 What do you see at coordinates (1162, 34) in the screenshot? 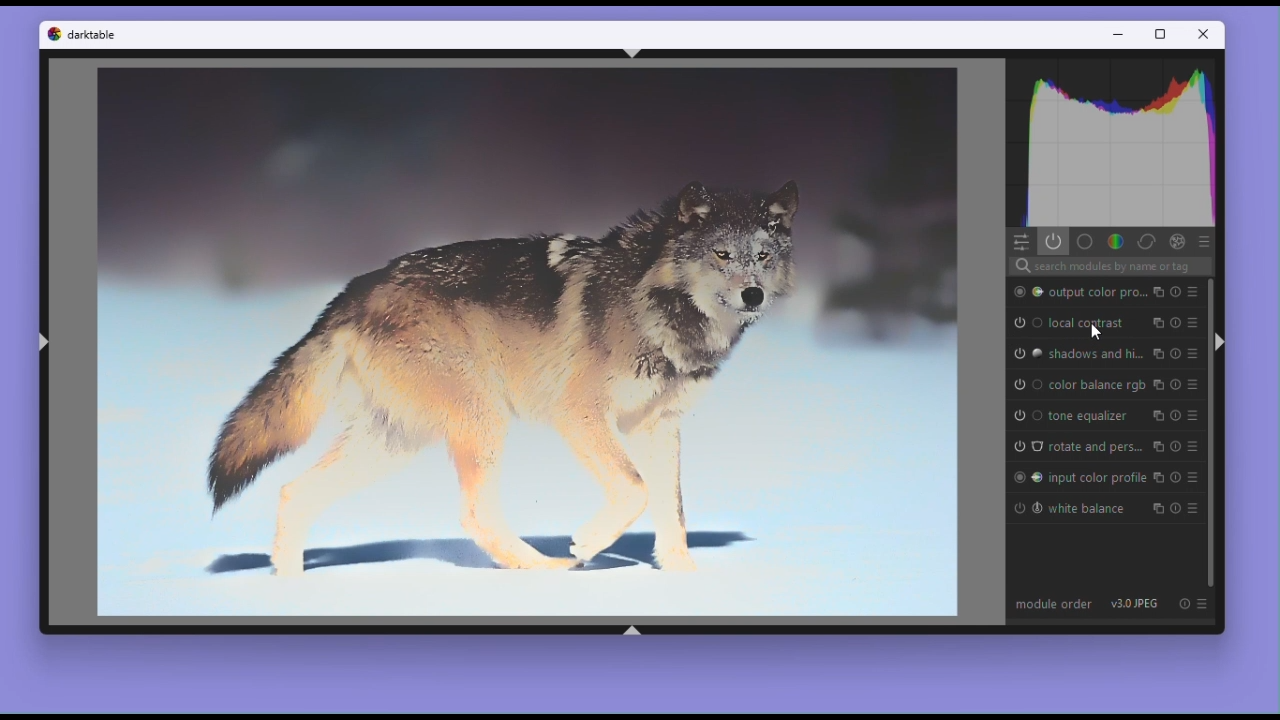
I see `Maximize` at bounding box center [1162, 34].